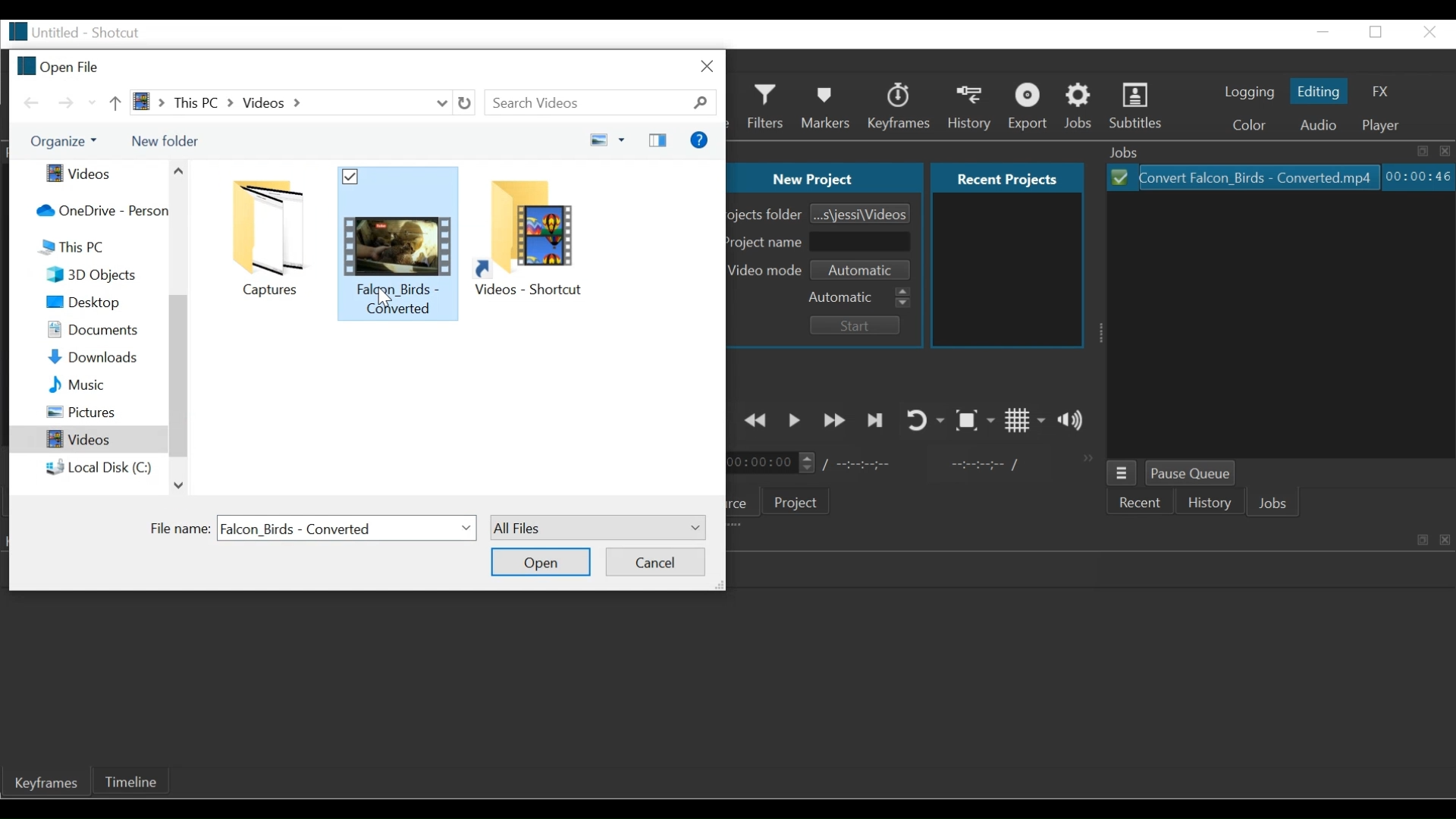  I want to click on Toggle play or pause, so click(795, 419).